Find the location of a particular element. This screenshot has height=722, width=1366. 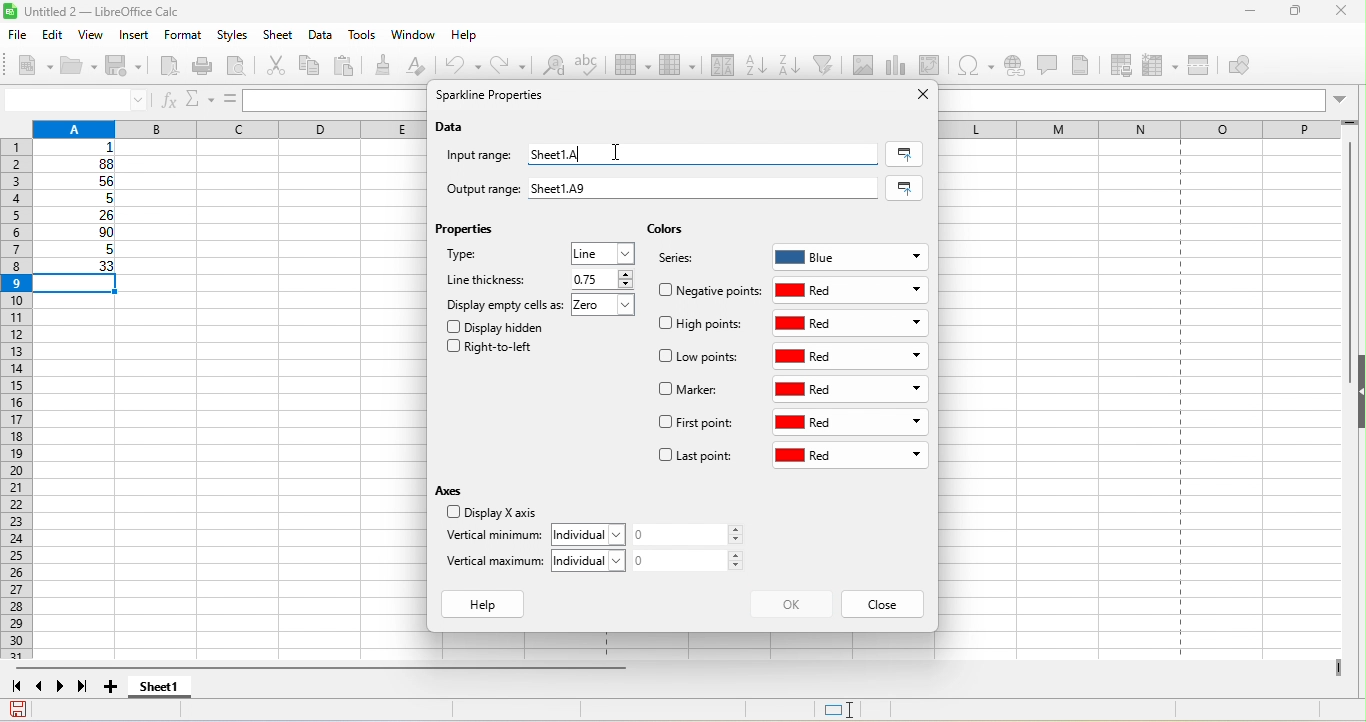

sort descending is located at coordinates (791, 64).